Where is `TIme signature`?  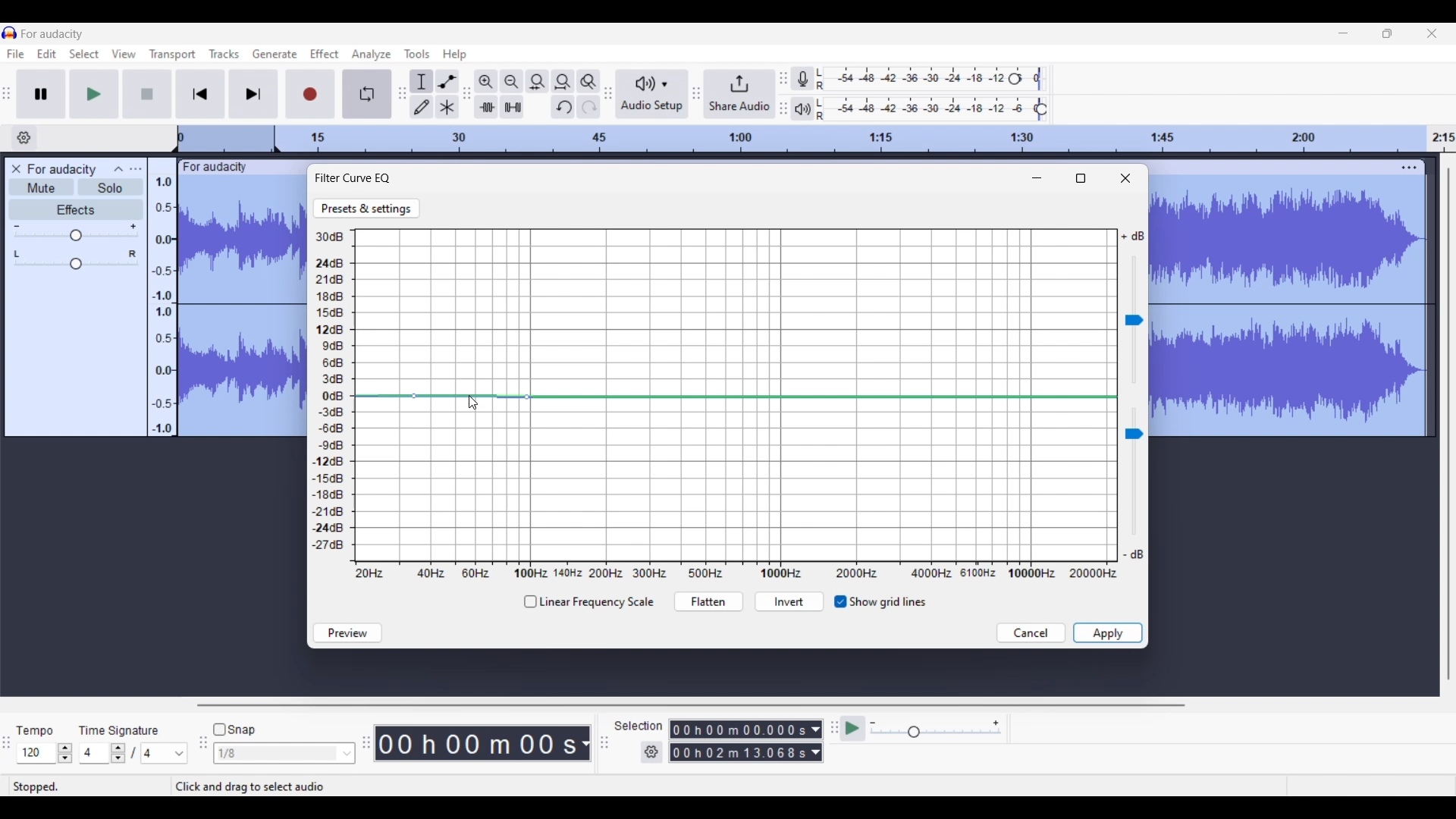 TIme signature is located at coordinates (120, 729).